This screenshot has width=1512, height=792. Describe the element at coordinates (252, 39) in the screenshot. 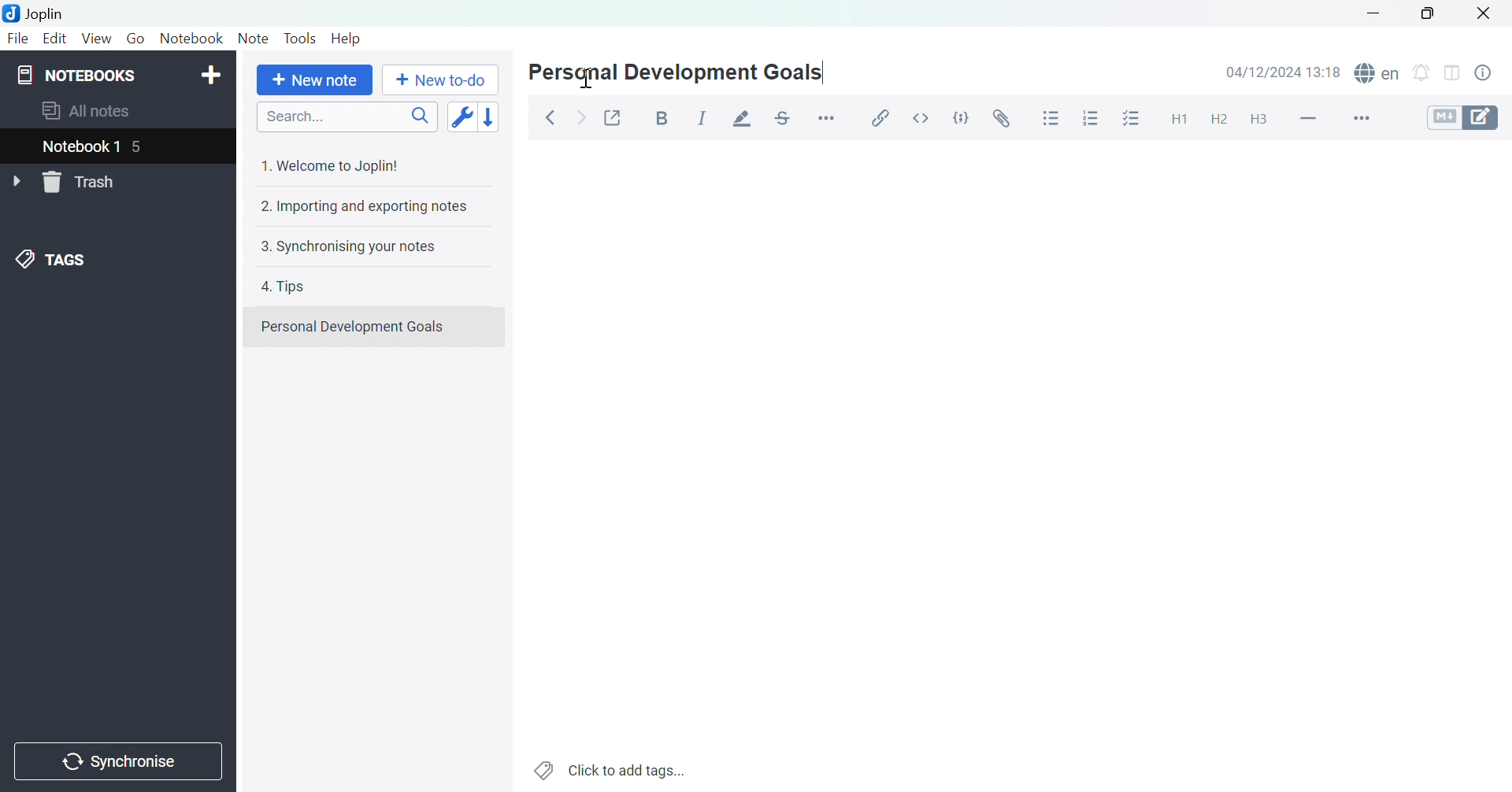

I see `Note` at that location.